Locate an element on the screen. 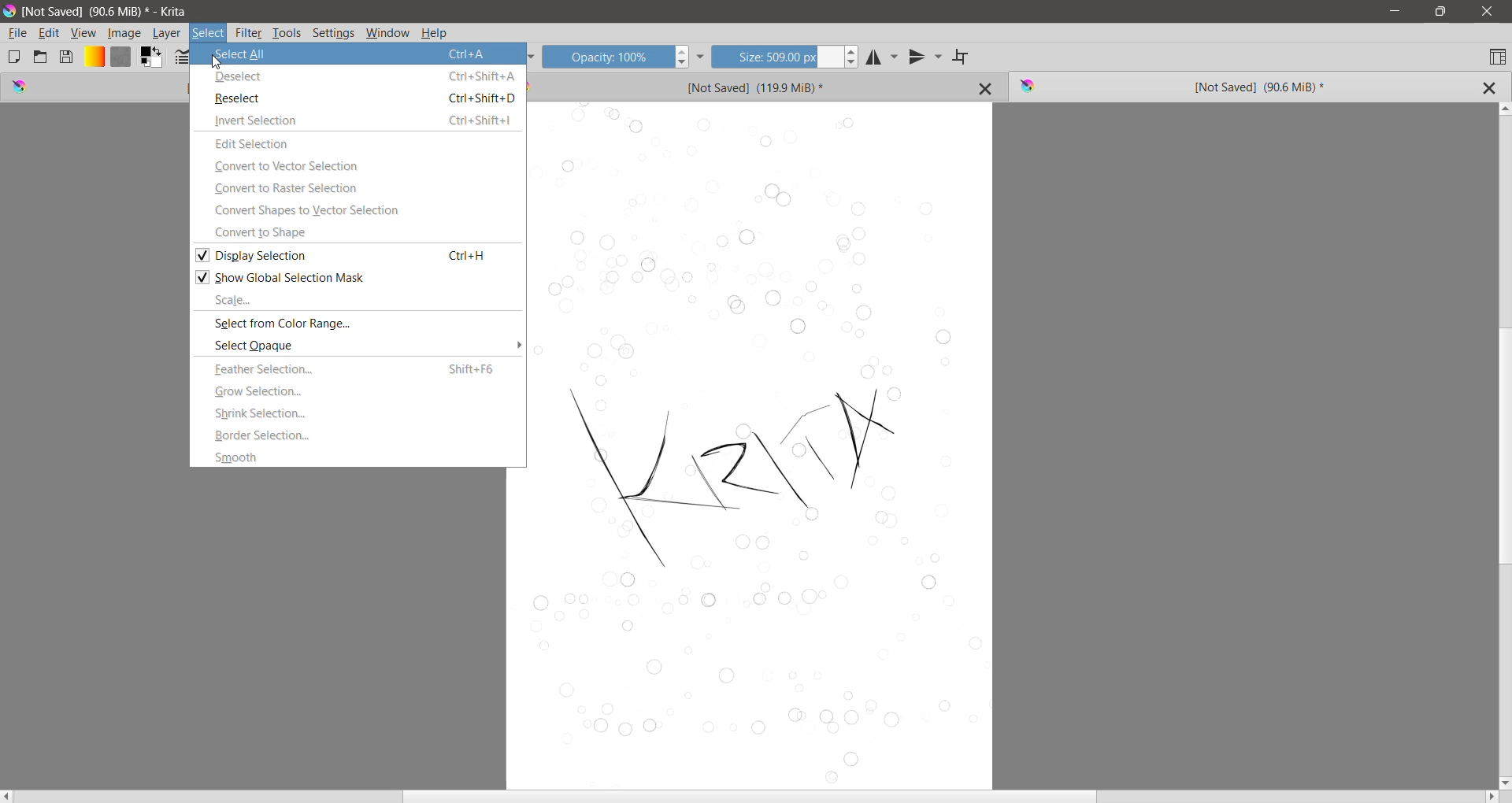 This screenshot has height=803, width=1512. Horizontal Scroll Bar is located at coordinates (750, 797).